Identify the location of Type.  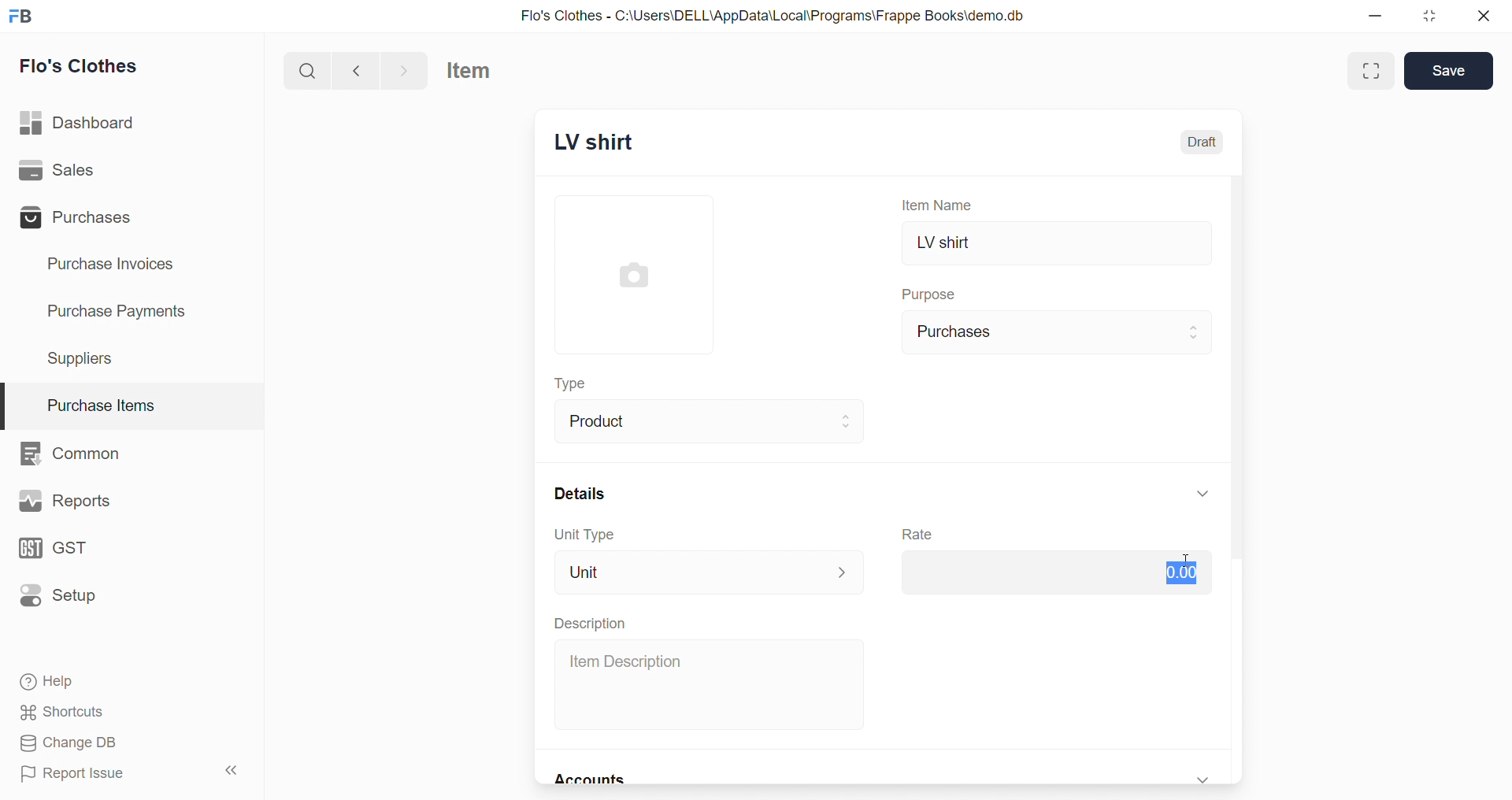
(577, 385).